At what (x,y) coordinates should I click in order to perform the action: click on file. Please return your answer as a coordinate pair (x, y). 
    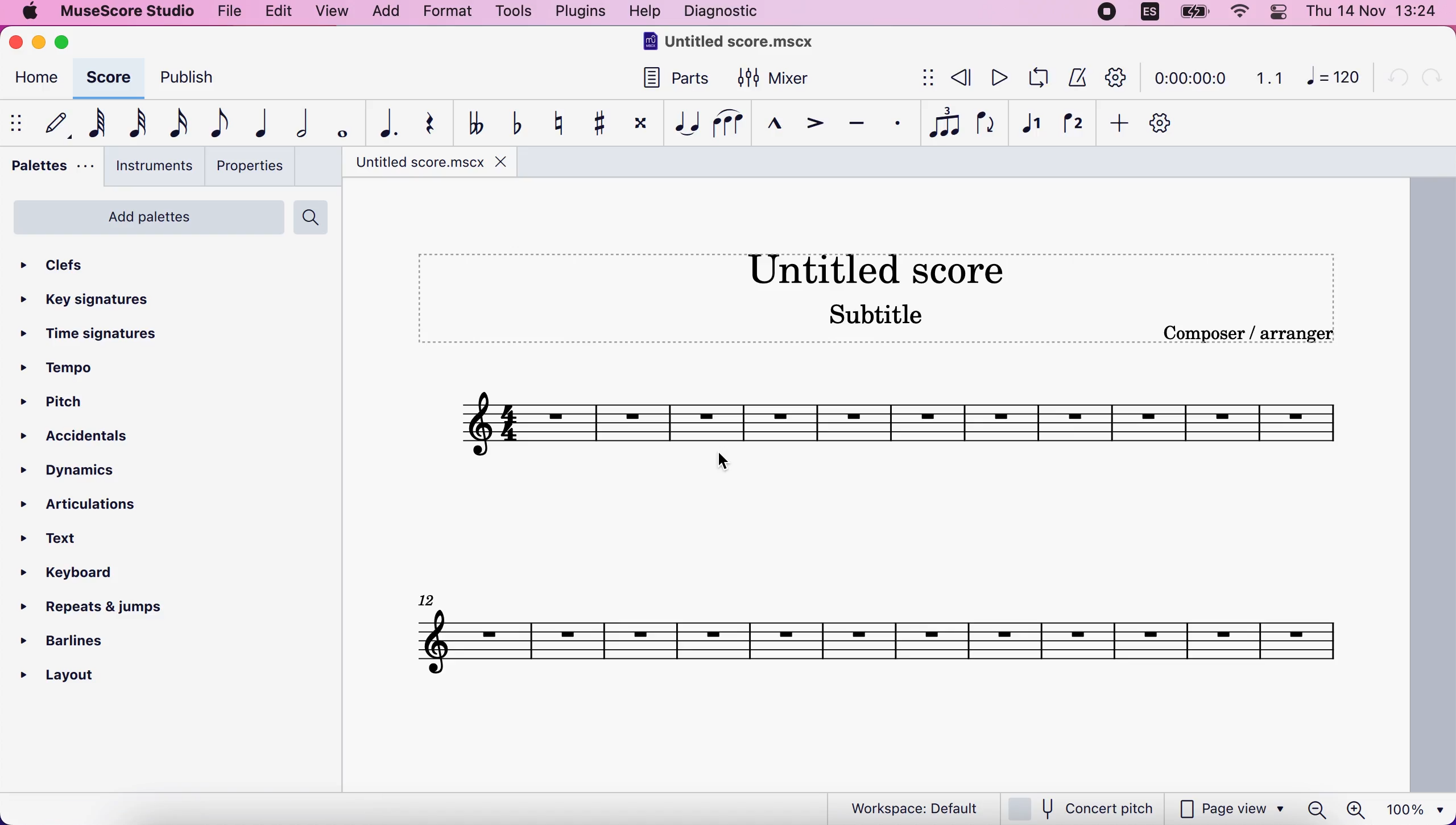
    Looking at the image, I should click on (226, 12).